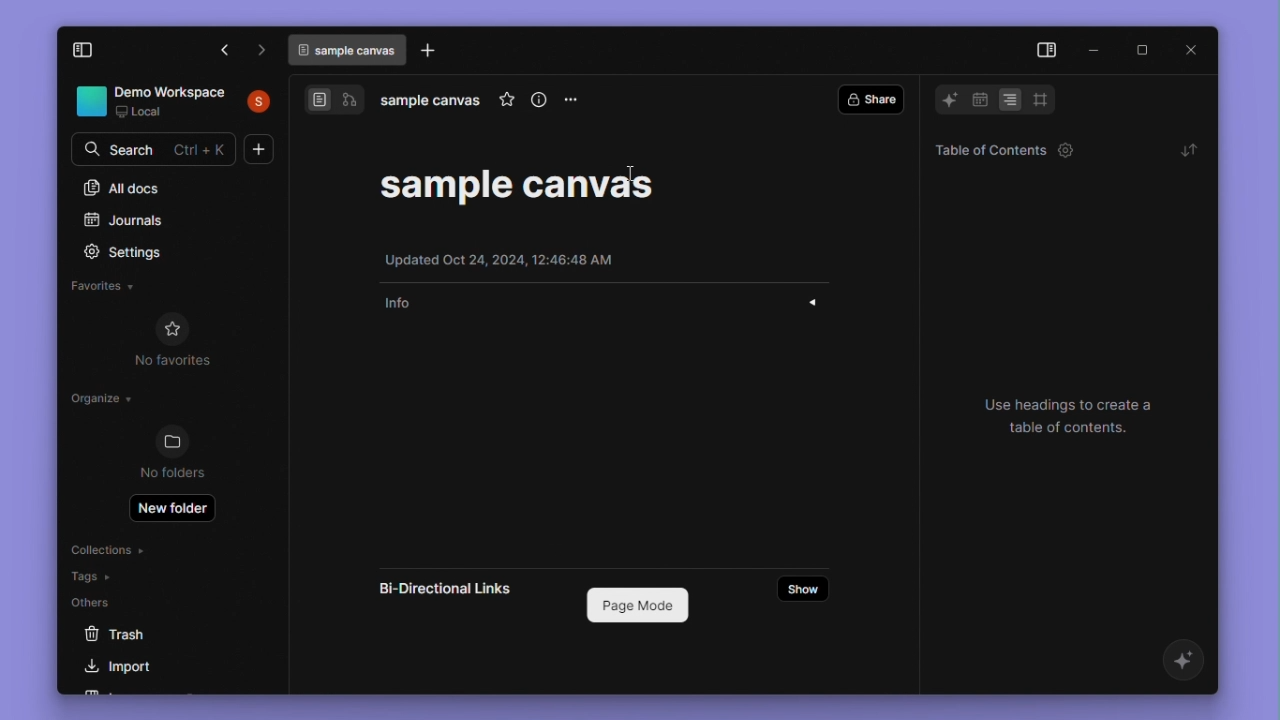 This screenshot has height=720, width=1280. Describe the element at coordinates (99, 601) in the screenshot. I see `Others` at that location.